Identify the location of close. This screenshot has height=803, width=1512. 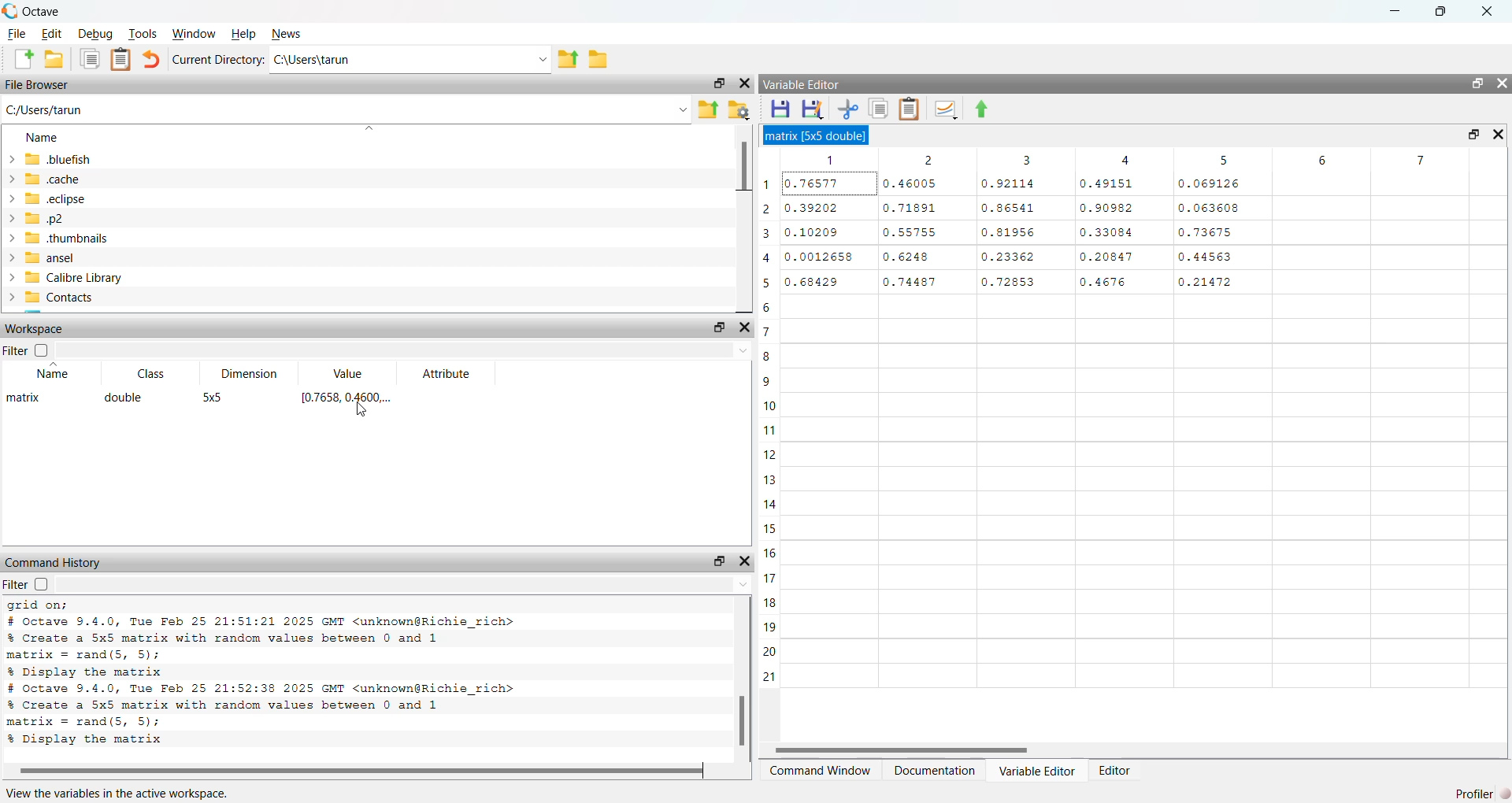
(749, 562).